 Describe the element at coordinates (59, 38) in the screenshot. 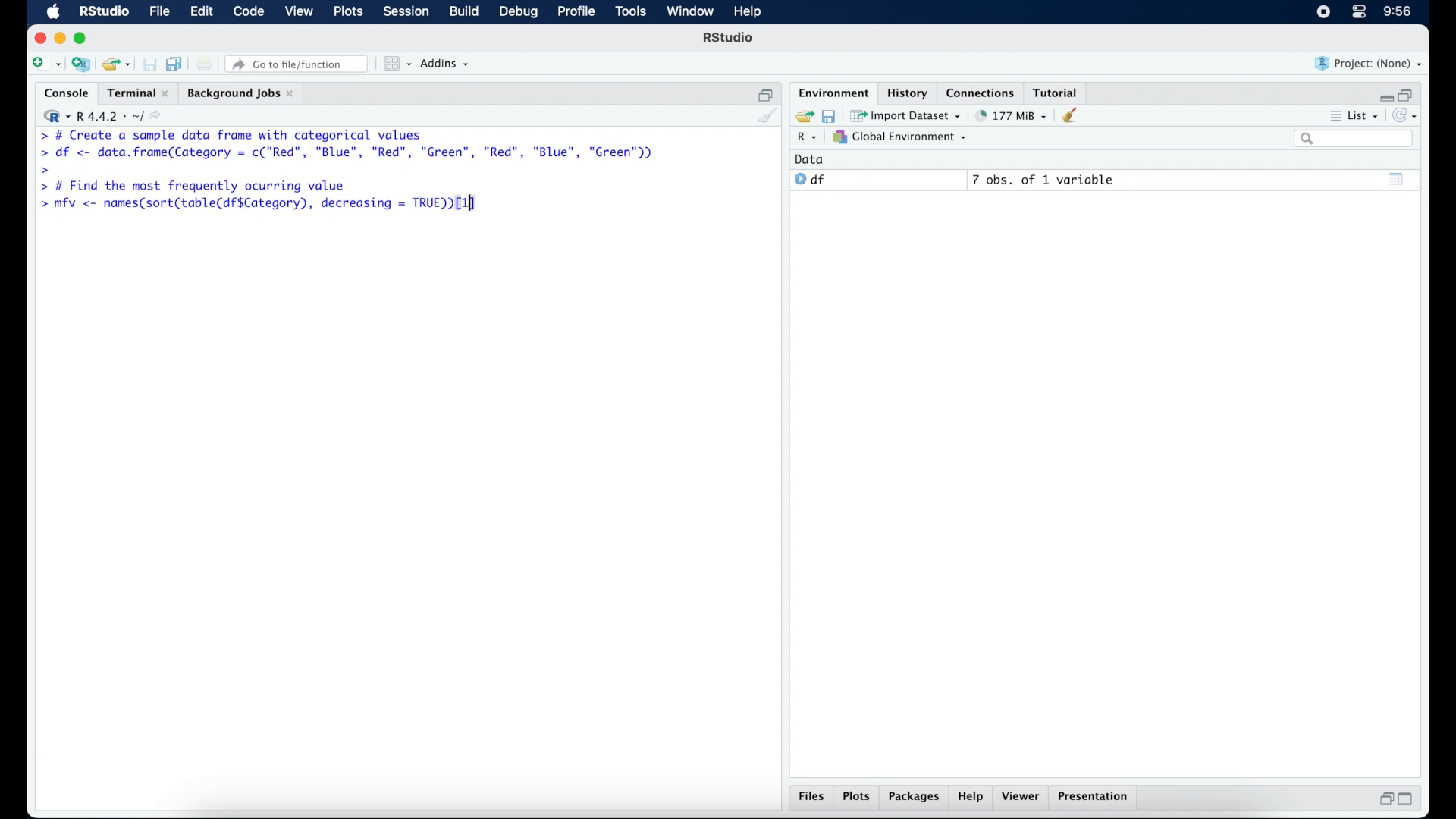

I see `minimzie` at that location.